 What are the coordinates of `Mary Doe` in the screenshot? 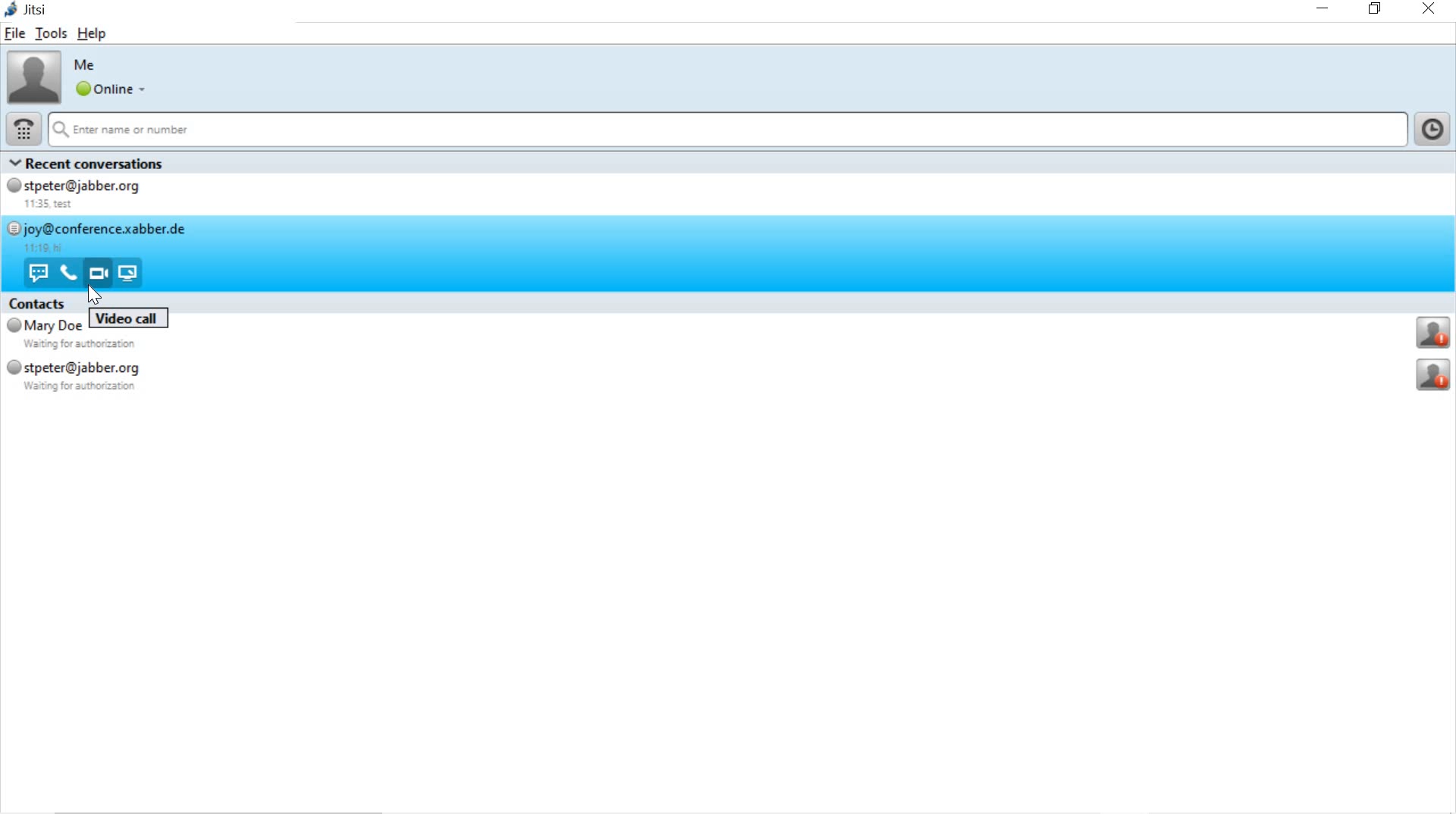 It's located at (45, 326).